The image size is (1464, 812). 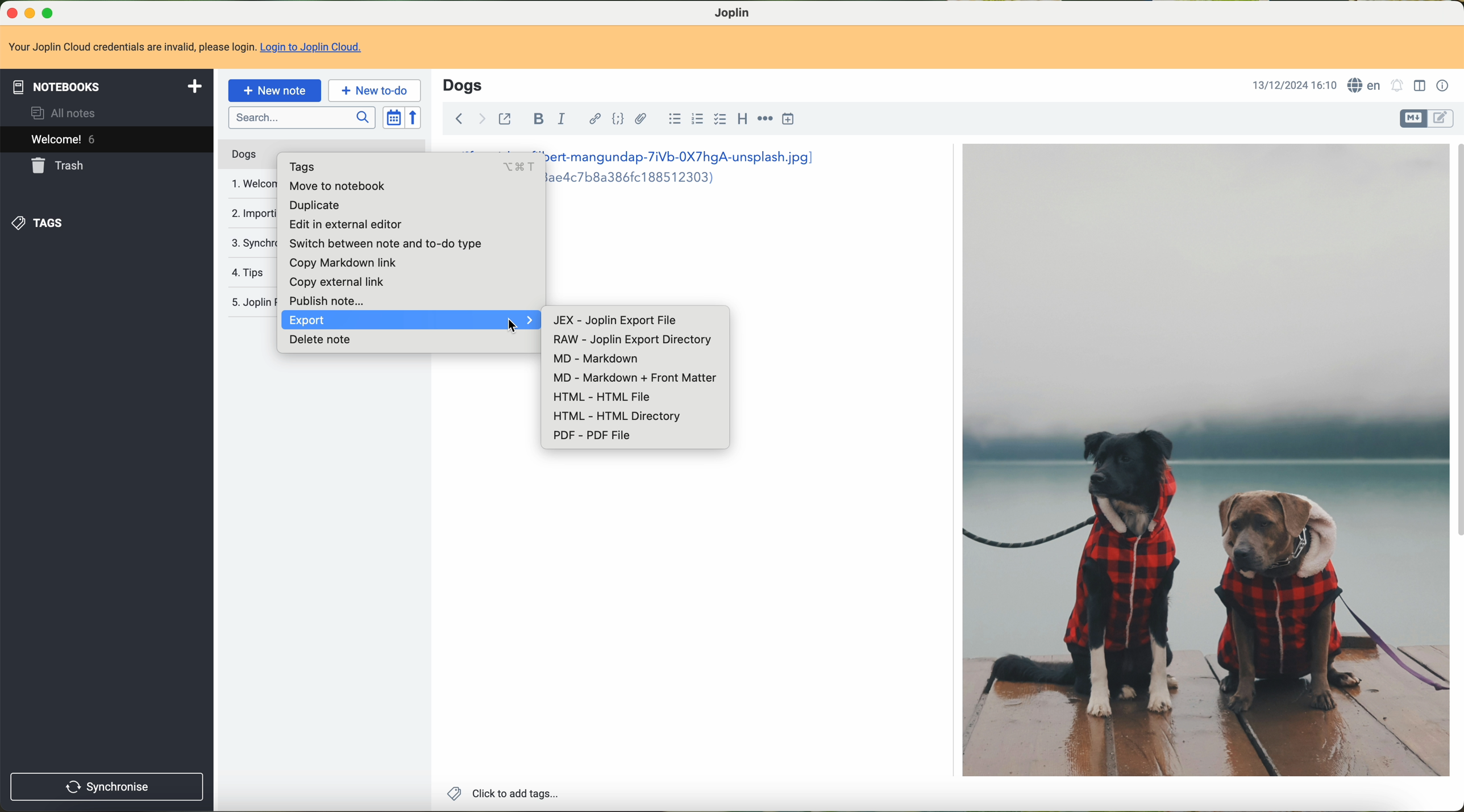 What do you see at coordinates (1442, 85) in the screenshot?
I see `note properties` at bounding box center [1442, 85].